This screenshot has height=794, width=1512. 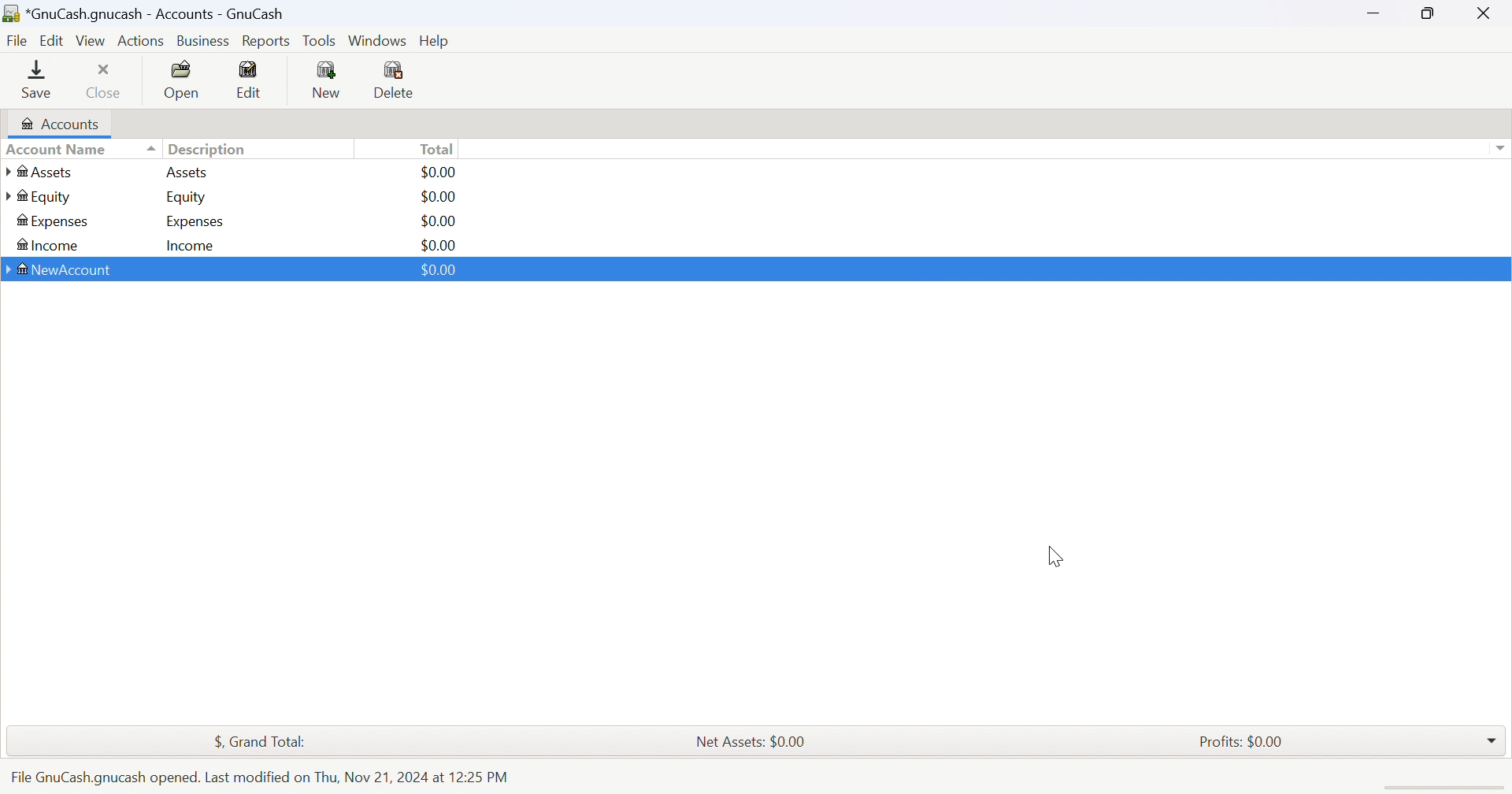 What do you see at coordinates (1492, 736) in the screenshot?
I see `Drop Down` at bounding box center [1492, 736].